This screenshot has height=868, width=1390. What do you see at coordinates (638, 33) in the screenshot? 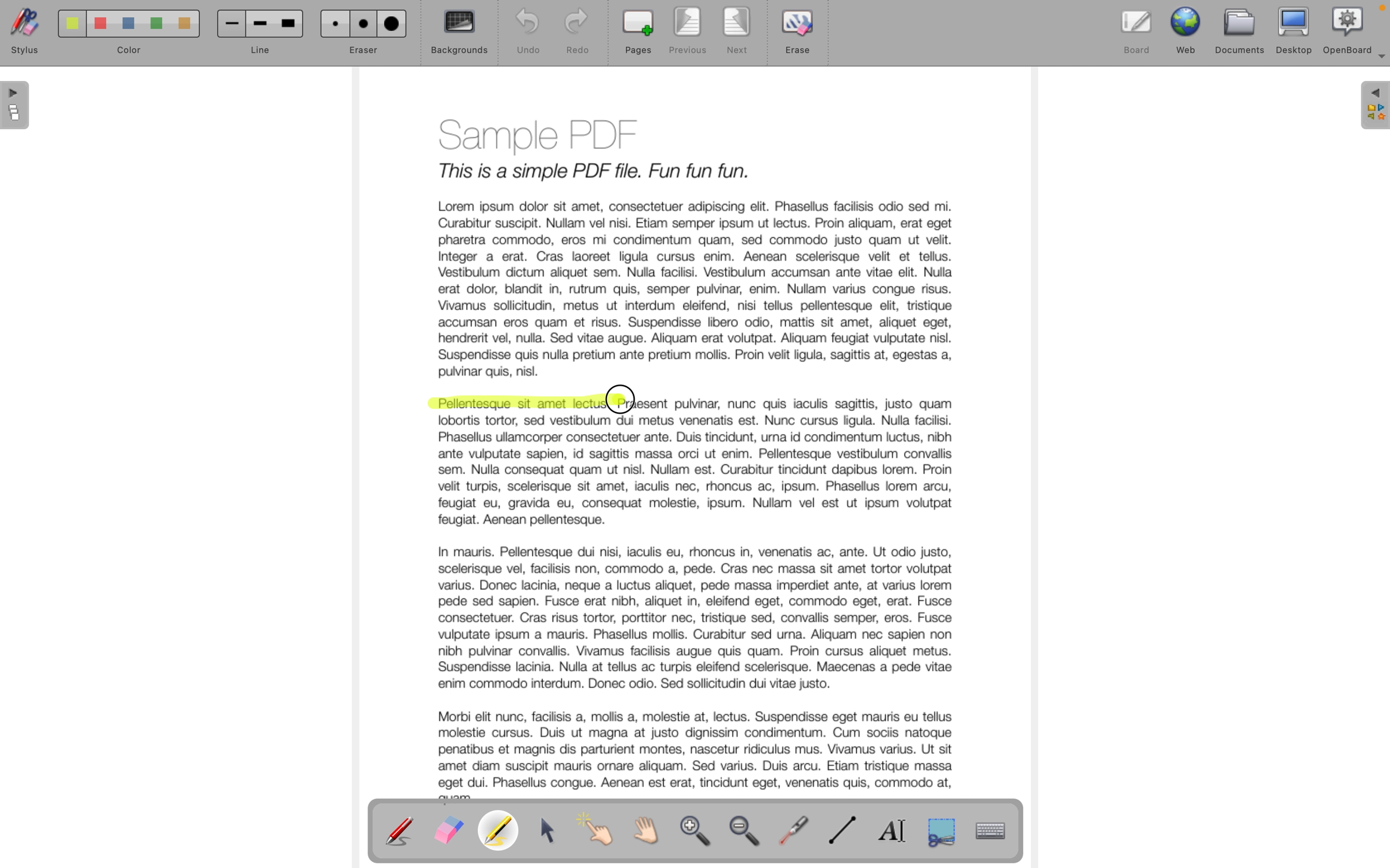
I see `pages` at bounding box center [638, 33].